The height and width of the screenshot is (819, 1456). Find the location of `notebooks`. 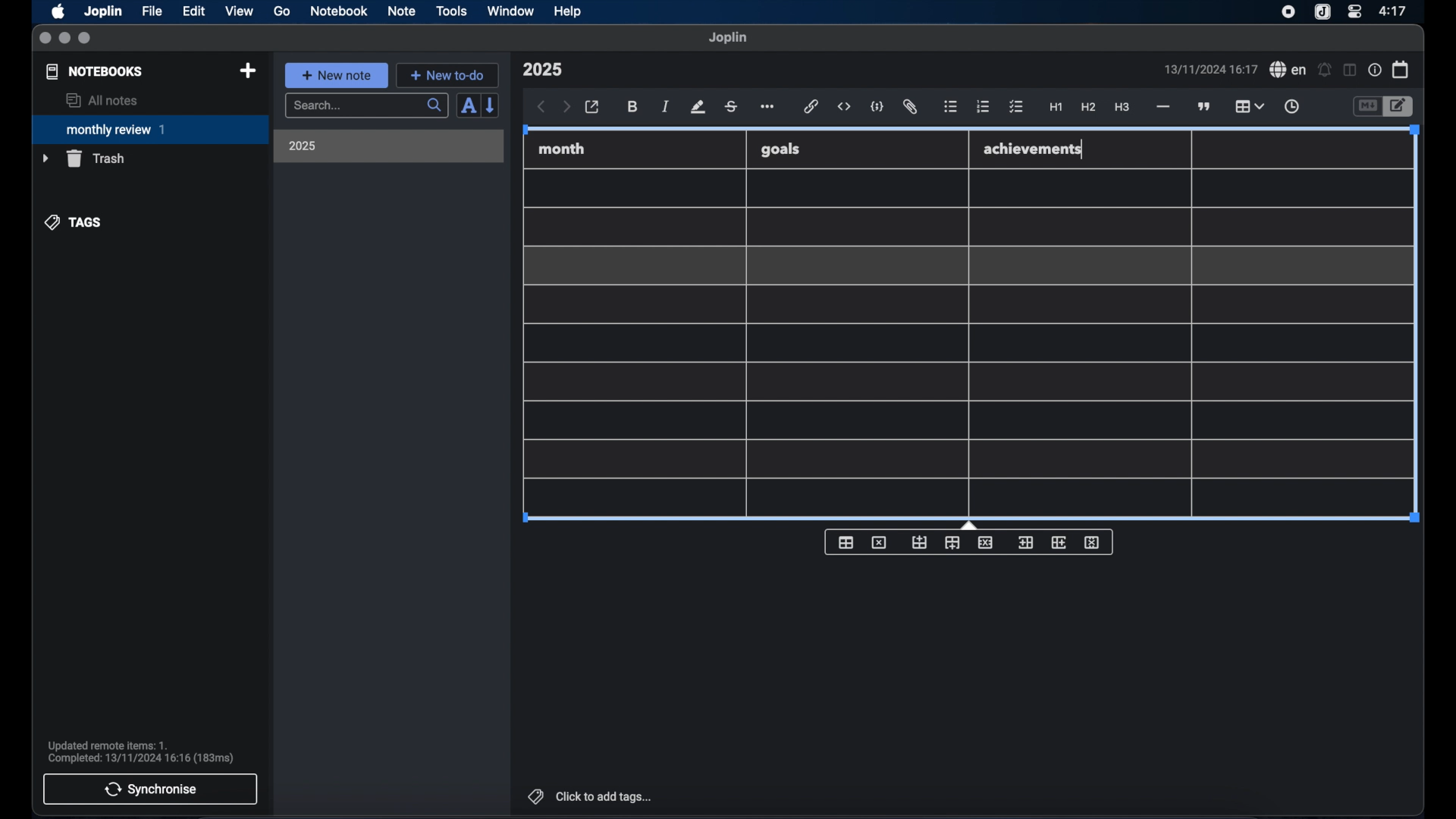

notebooks is located at coordinates (95, 71).